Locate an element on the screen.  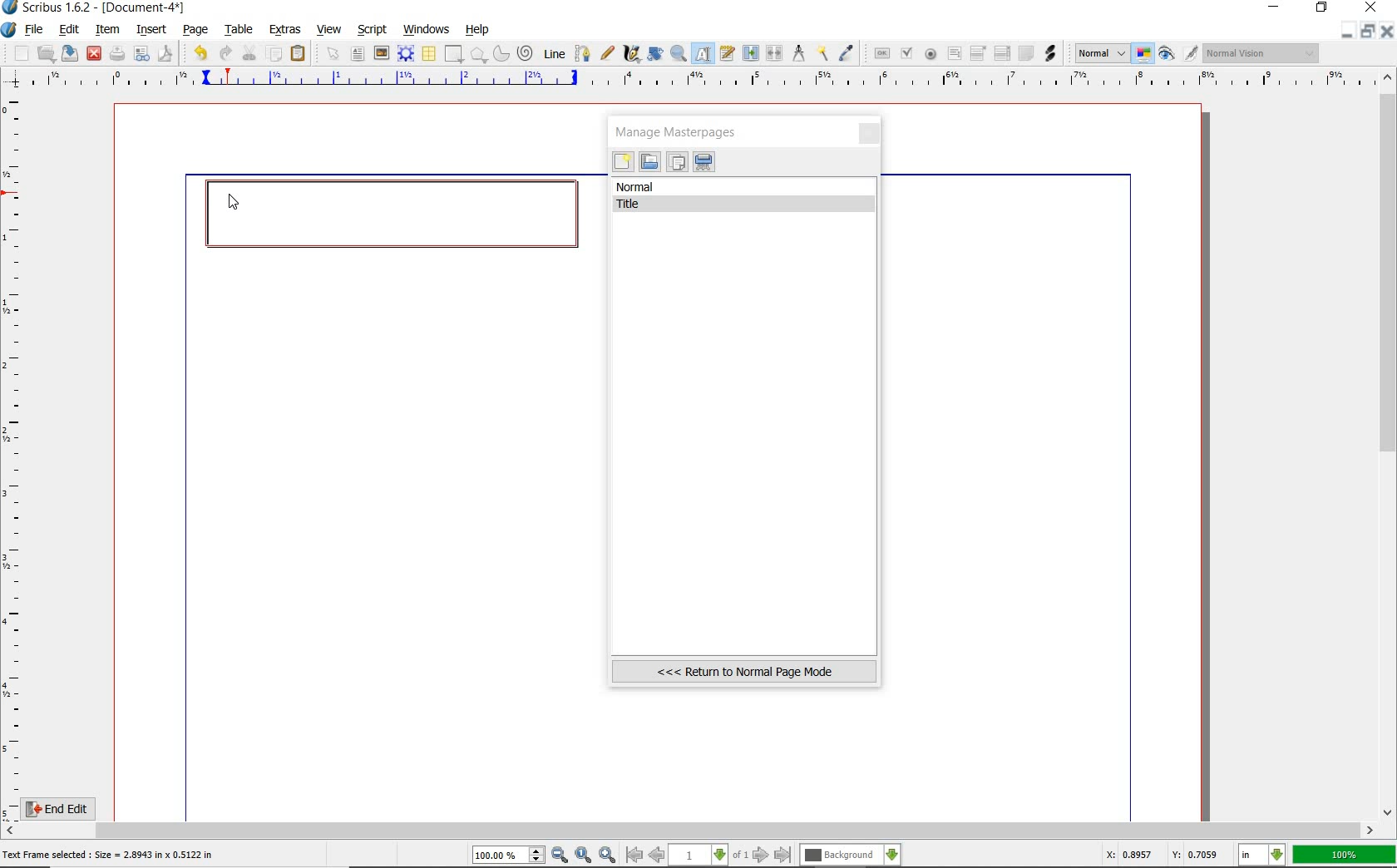
arc is located at coordinates (500, 53).